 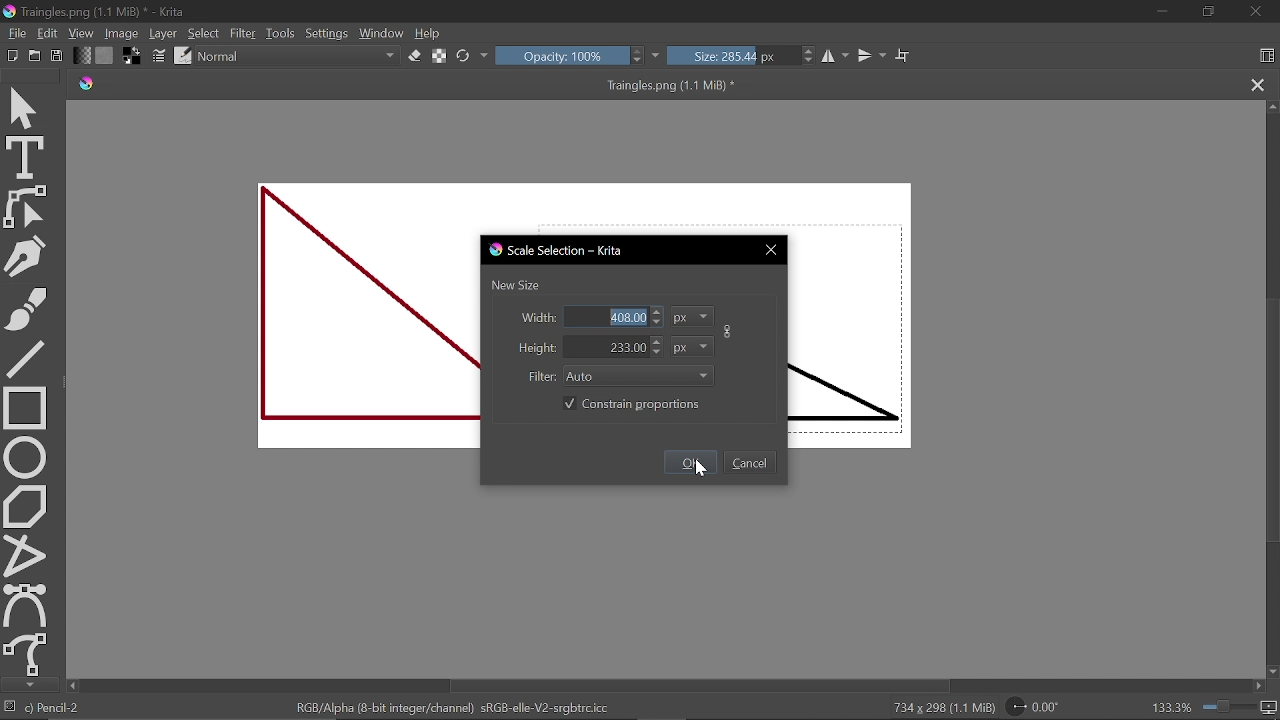 What do you see at coordinates (521, 284) in the screenshot?
I see `New Size` at bounding box center [521, 284].